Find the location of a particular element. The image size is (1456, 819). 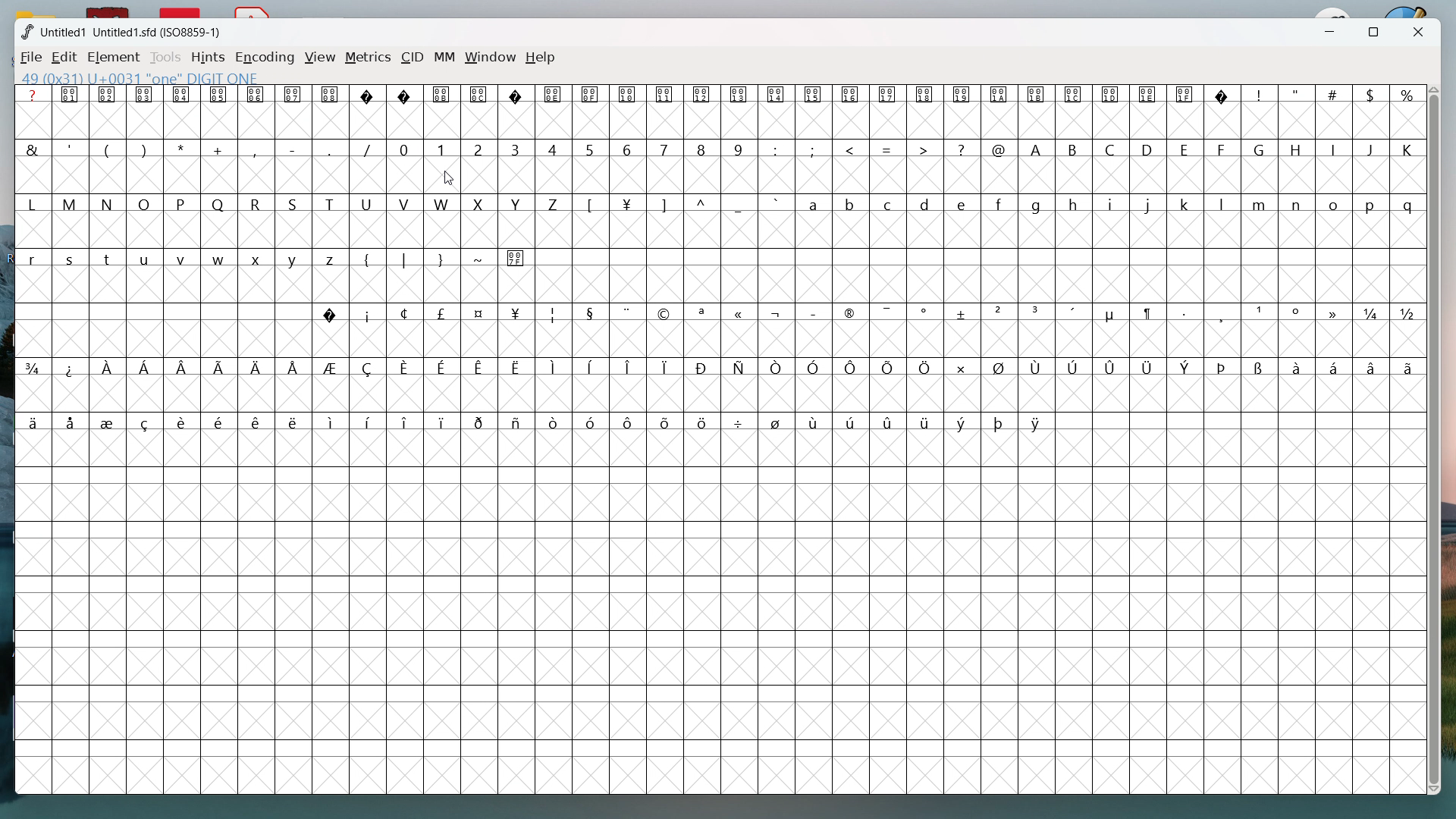

t is located at coordinates (108, 257).